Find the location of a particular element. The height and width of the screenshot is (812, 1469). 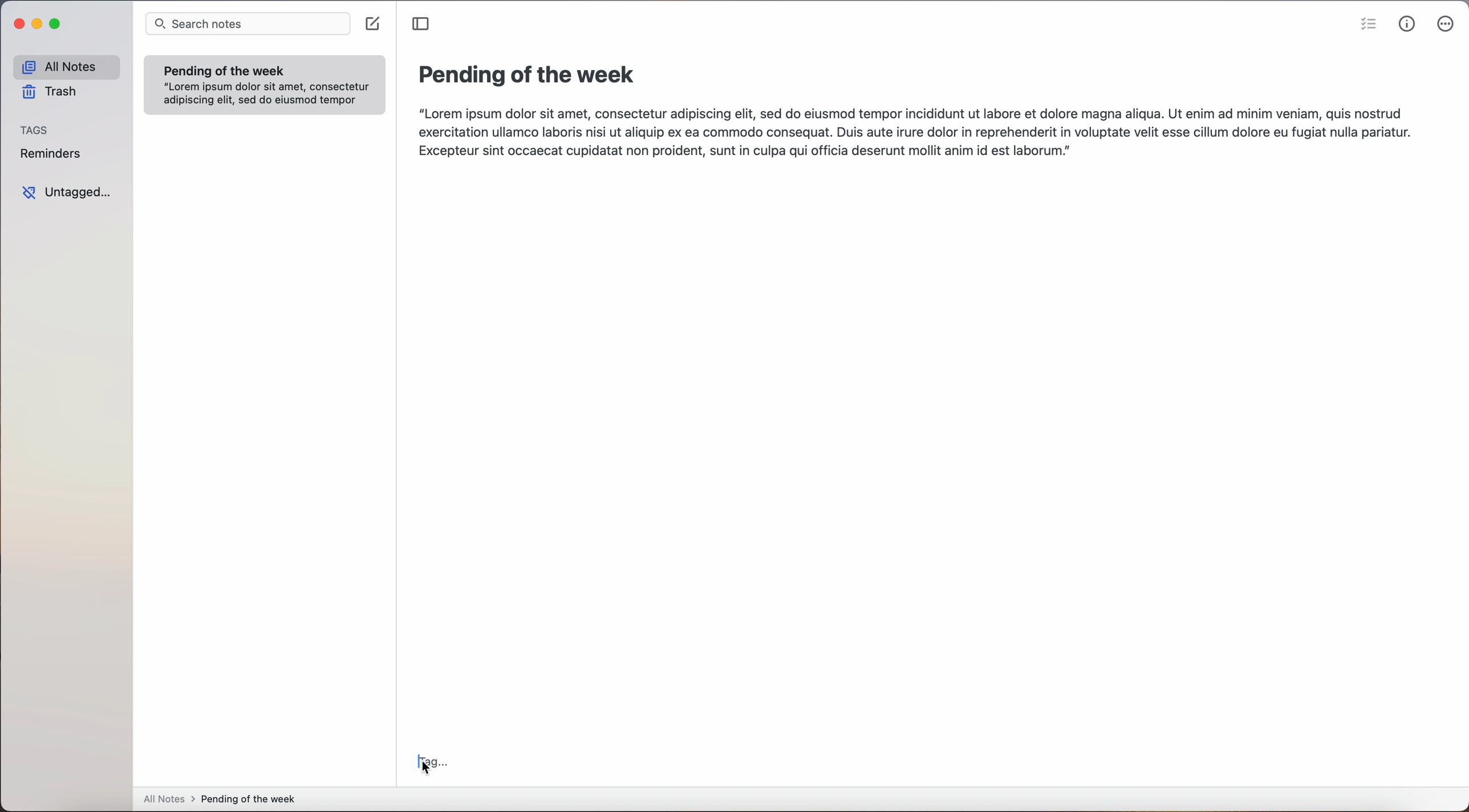

click on tag is located at coordinates (433, 761).